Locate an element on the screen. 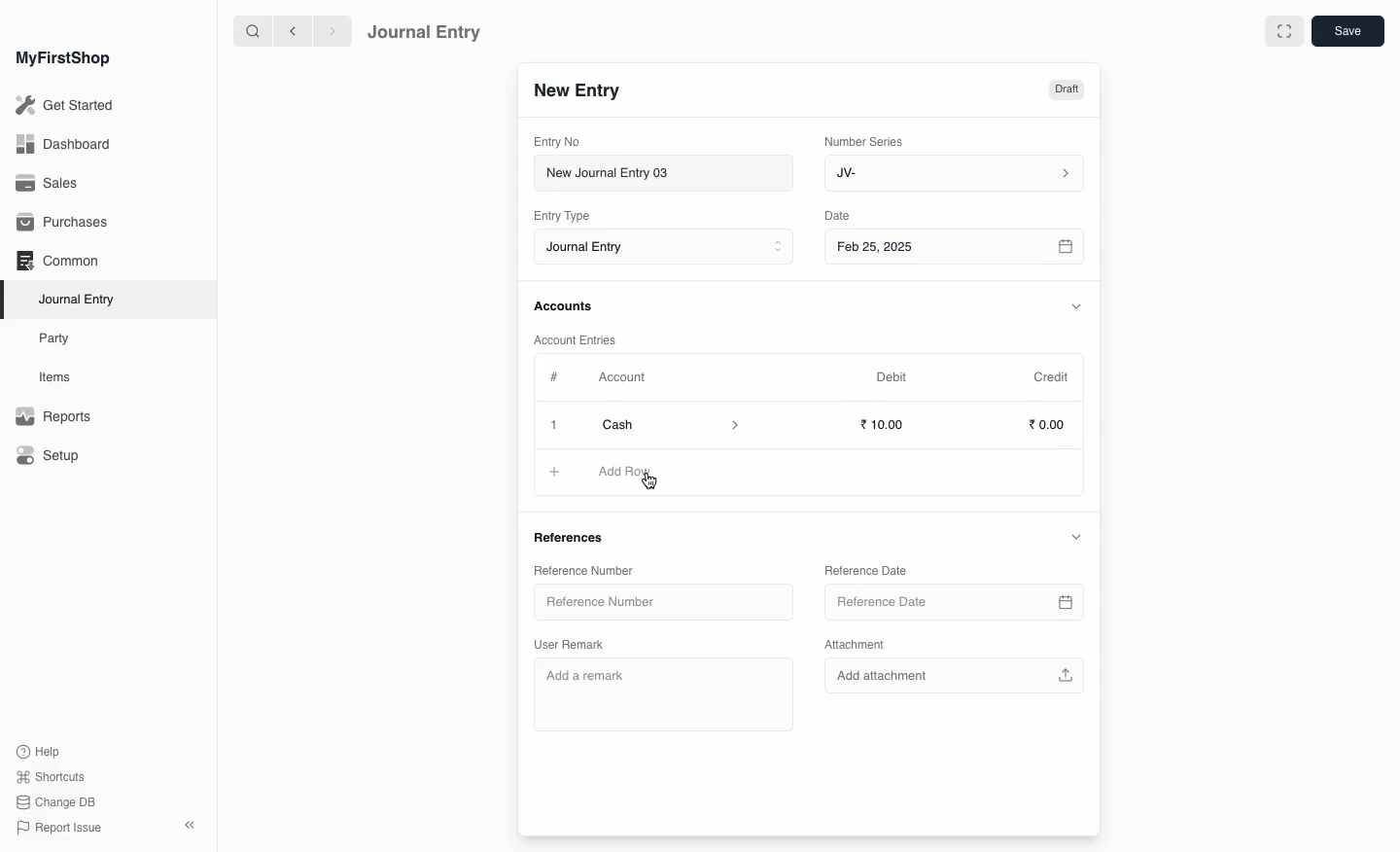  Add attachment is located at coordinates (957, 675).